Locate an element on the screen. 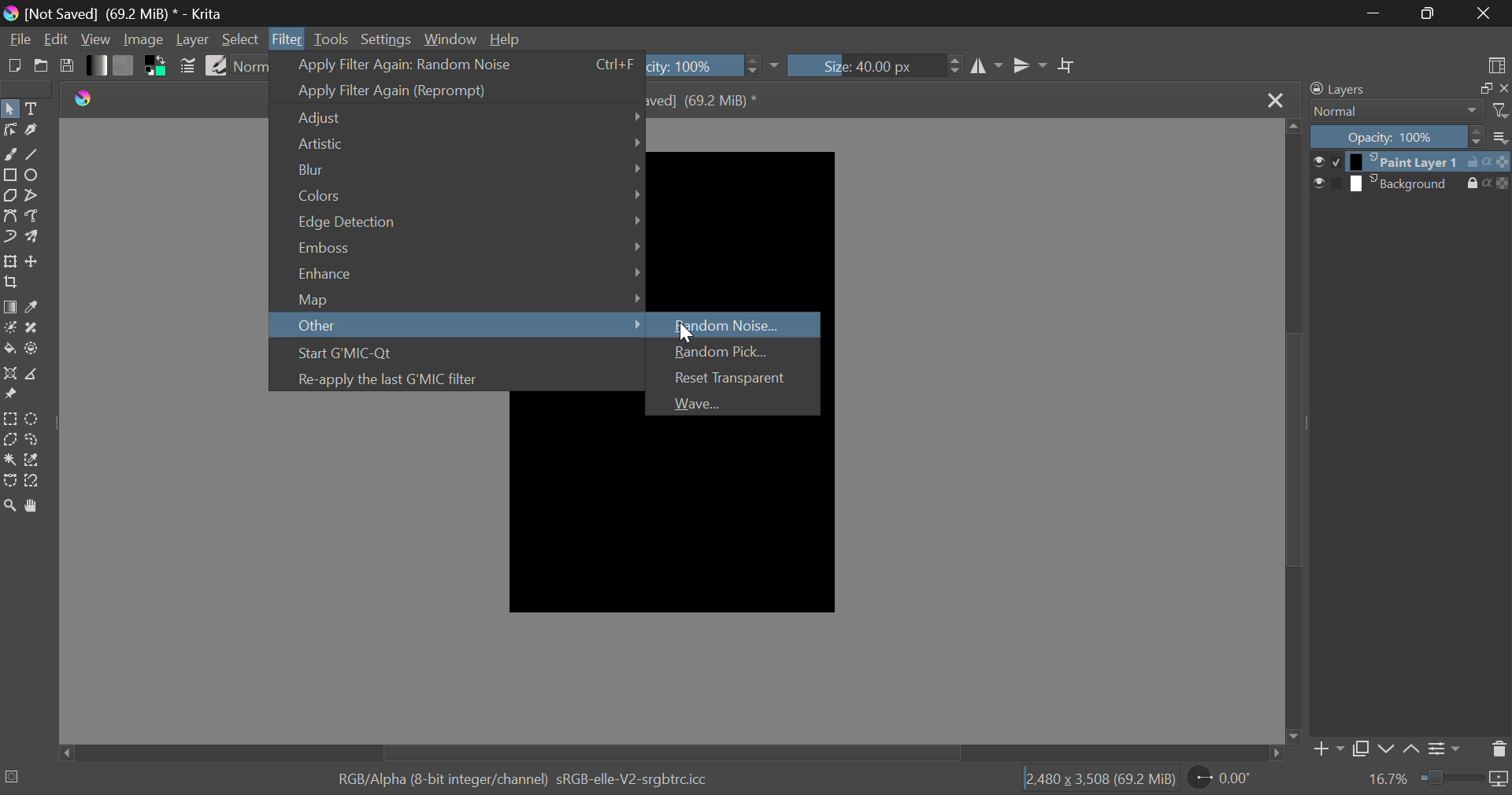 This screenshot has width=1512, height=795. View is located at coordinates (96, 40).